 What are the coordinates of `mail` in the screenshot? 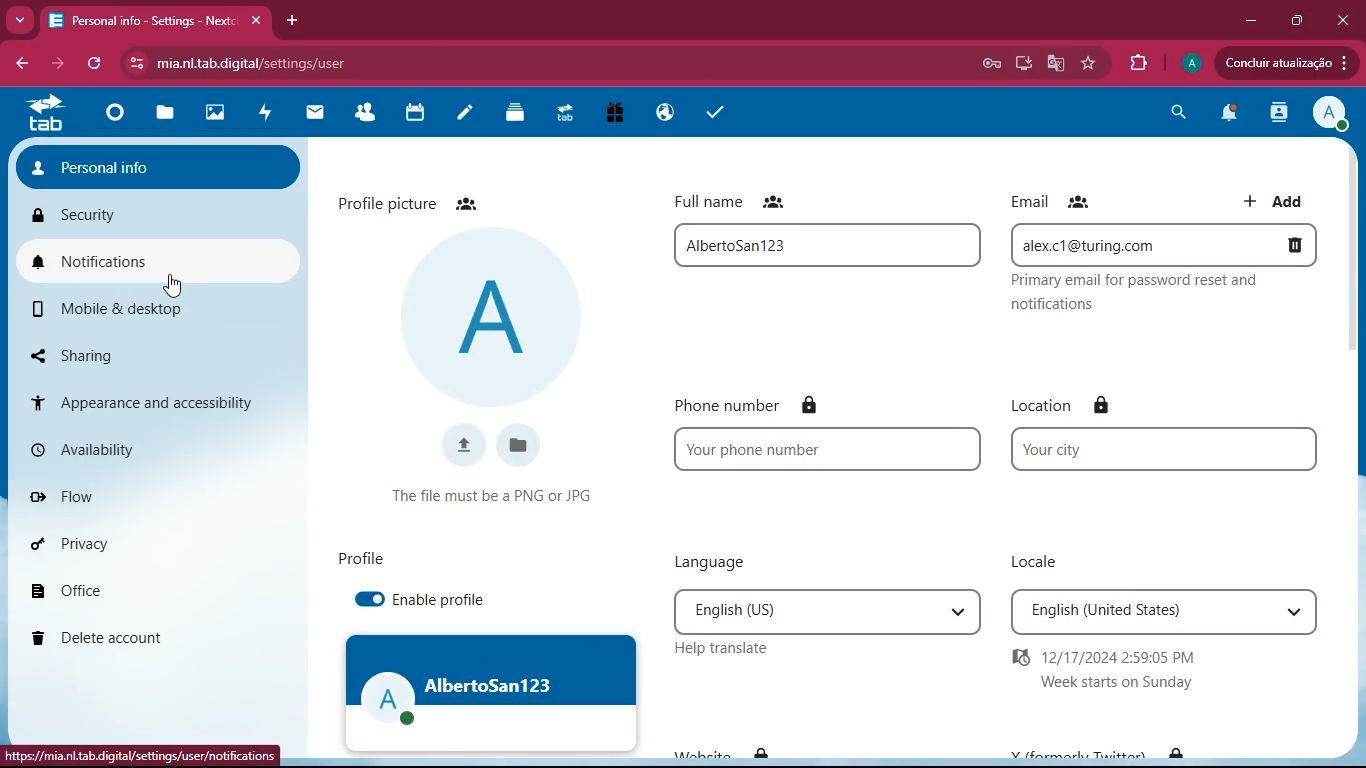 It's located at (312, 116).